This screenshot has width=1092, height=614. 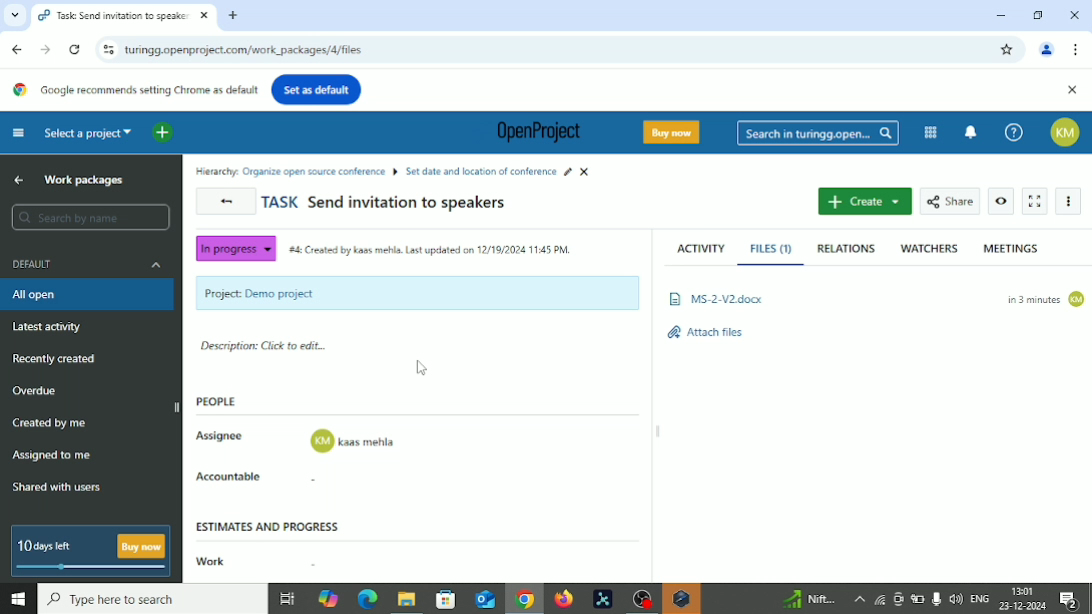 I want to click on Sensex, so click(x=807, y=599).